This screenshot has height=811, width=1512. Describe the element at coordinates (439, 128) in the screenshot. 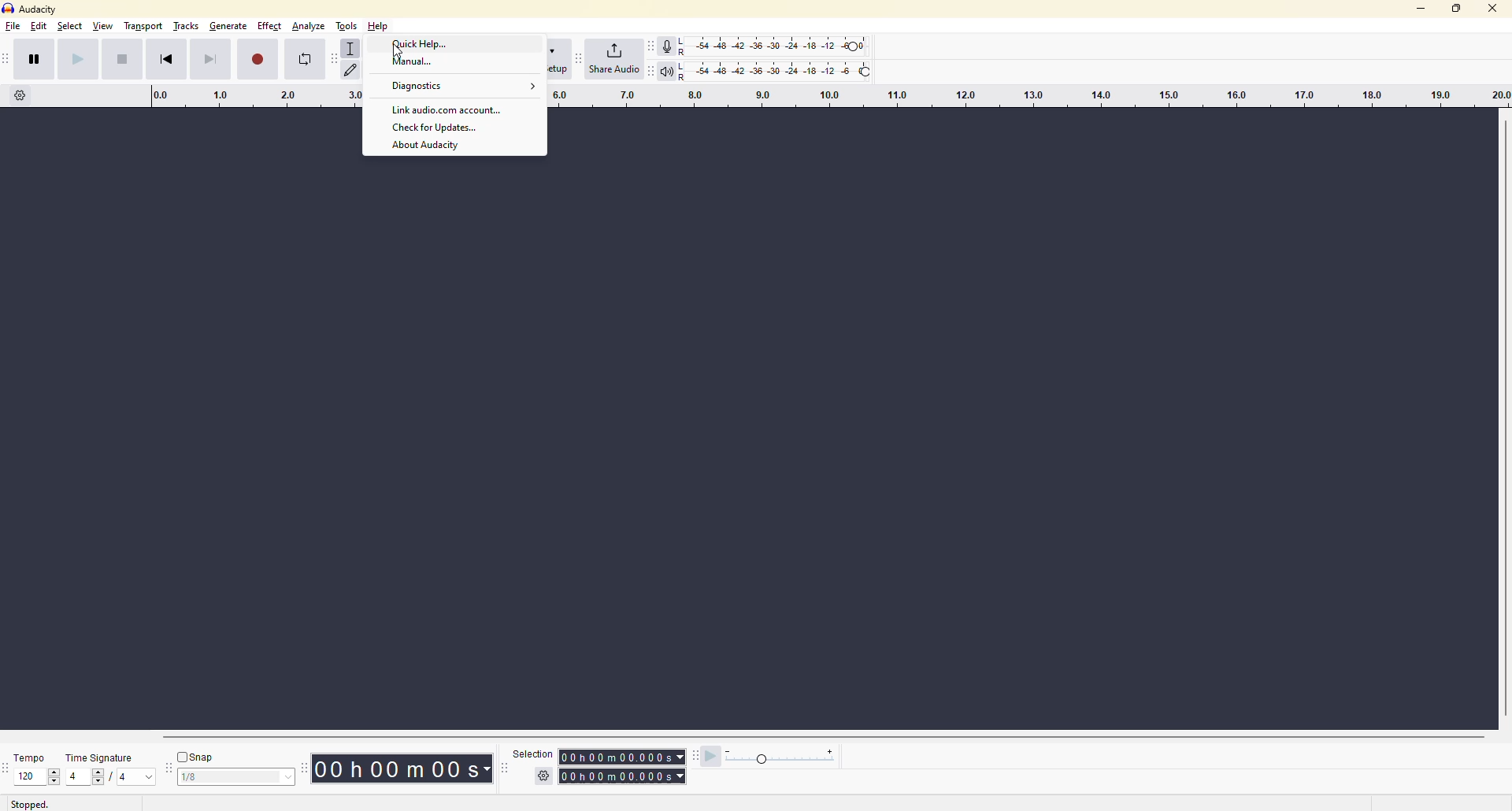

I see `check for updates` at that location.